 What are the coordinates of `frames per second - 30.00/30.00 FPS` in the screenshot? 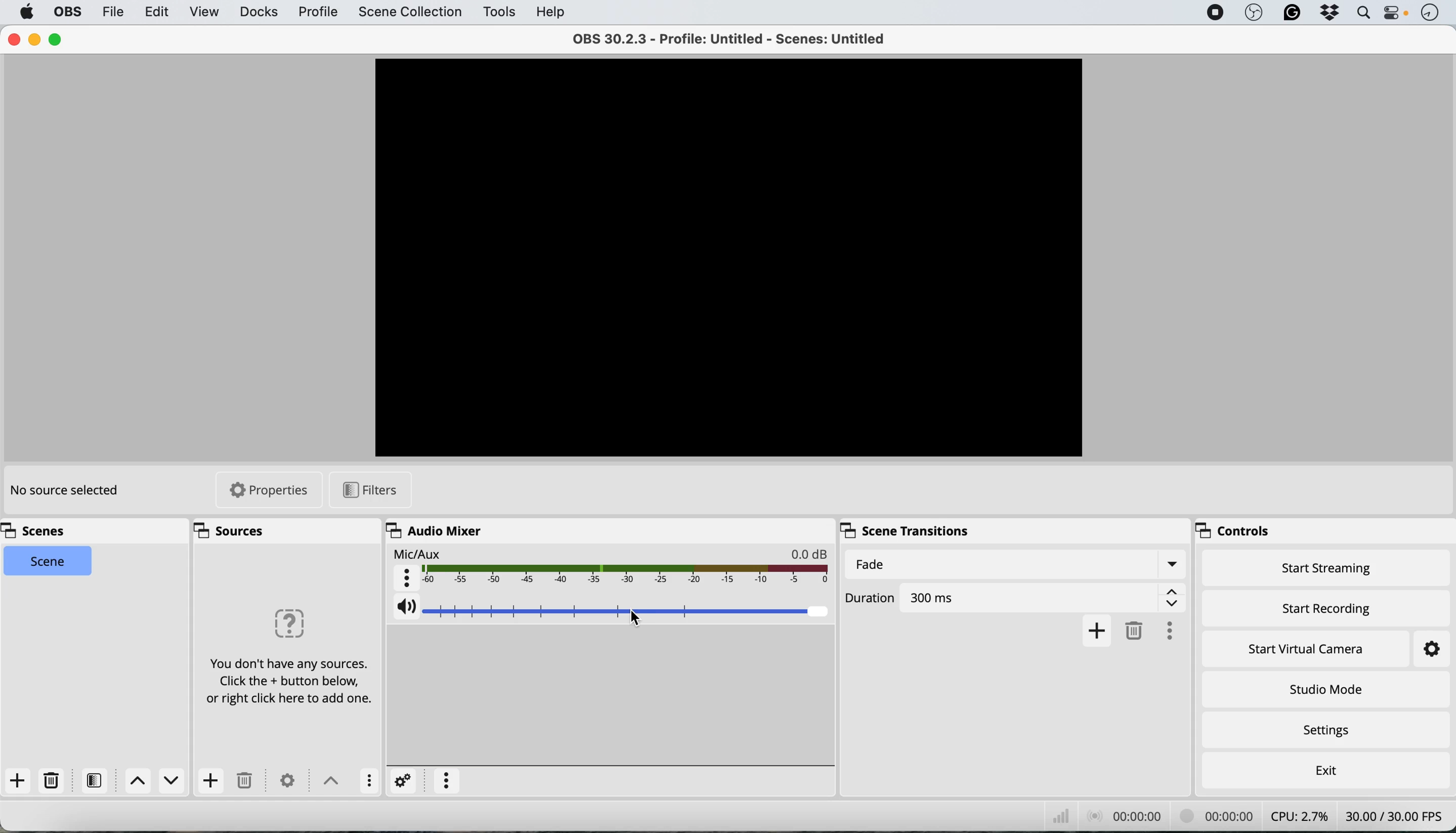 It's located at (1398, 816).